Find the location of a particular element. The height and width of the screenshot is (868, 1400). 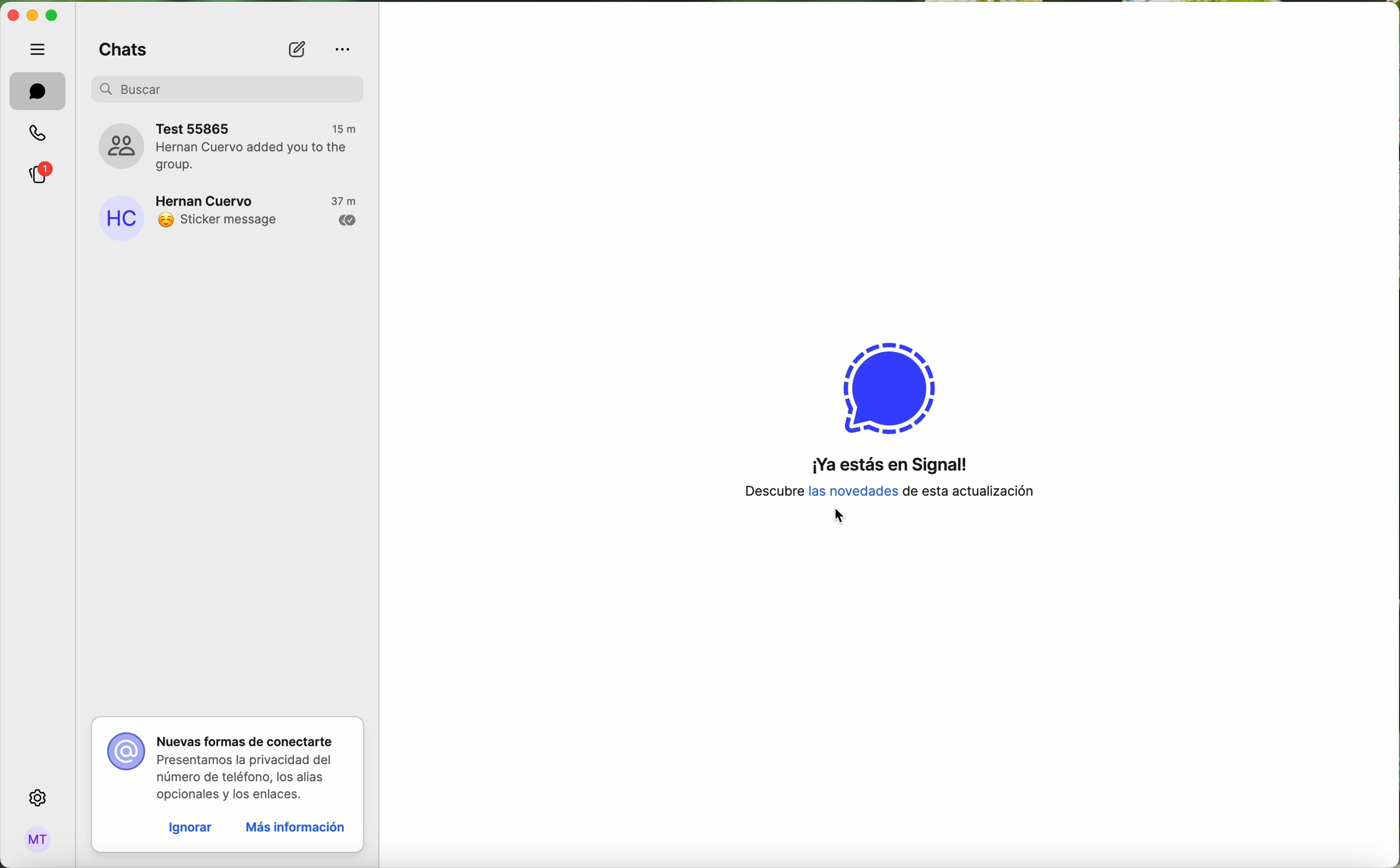

más información is located at coordinates (294, 829).